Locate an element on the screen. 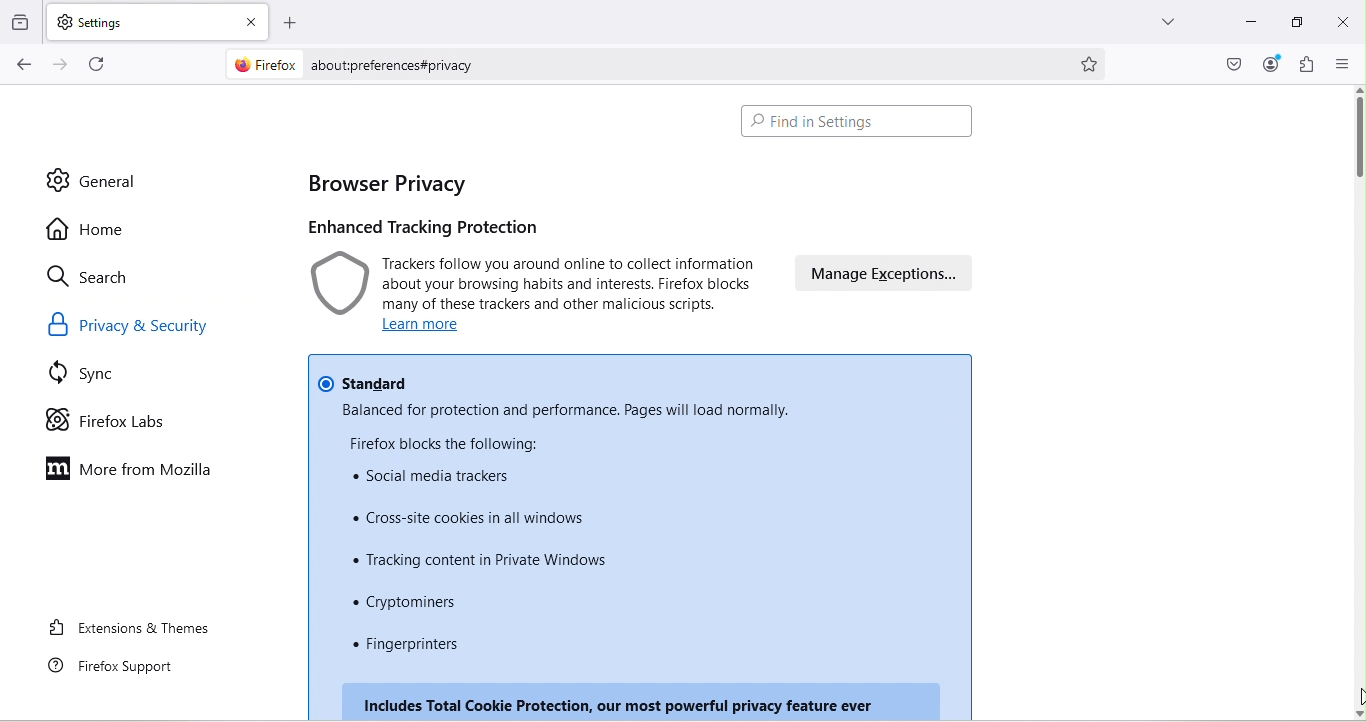  Firefox support is located at coordinates (119, 667).